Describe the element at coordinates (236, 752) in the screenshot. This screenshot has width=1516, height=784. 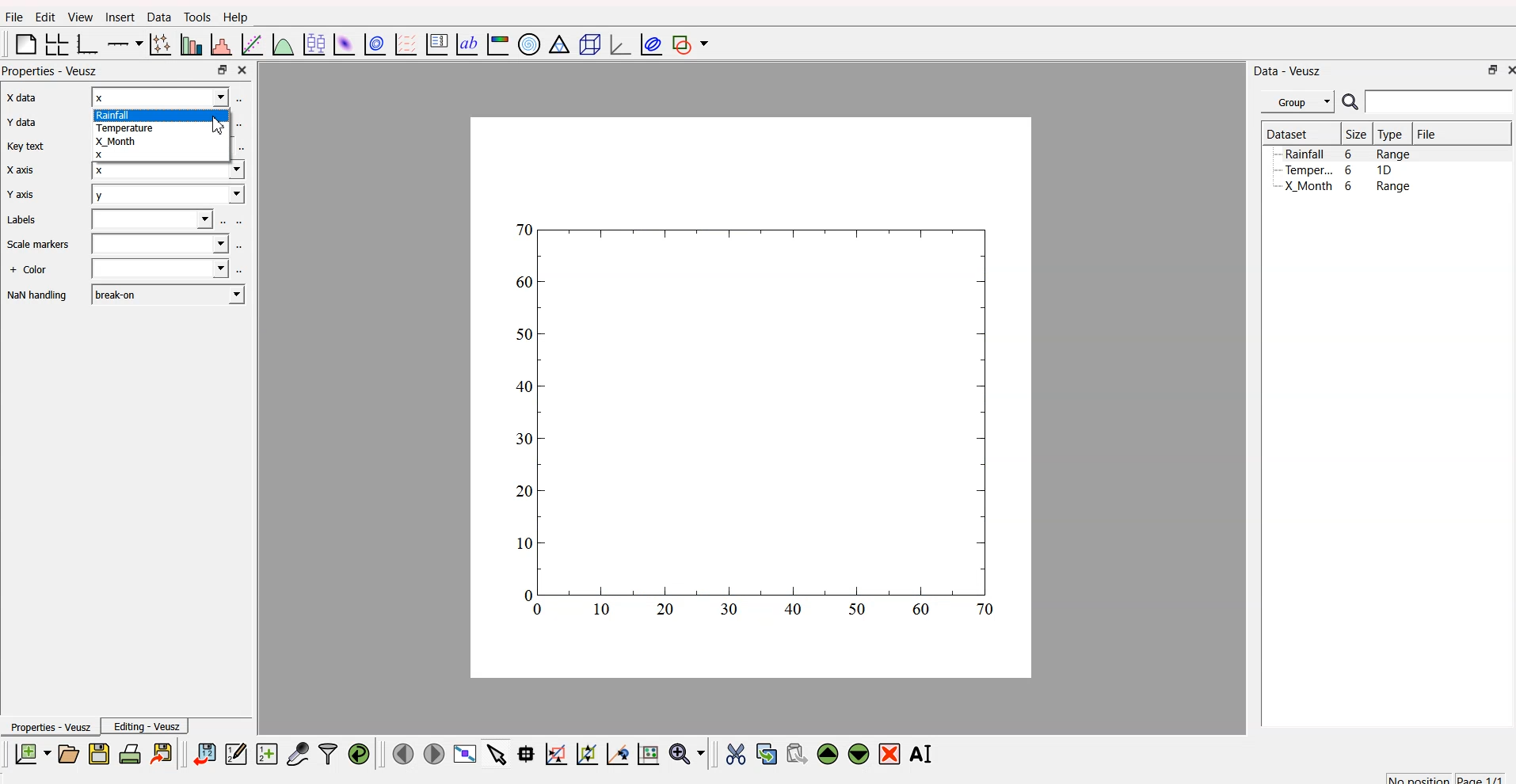
I see `editor` at that location.